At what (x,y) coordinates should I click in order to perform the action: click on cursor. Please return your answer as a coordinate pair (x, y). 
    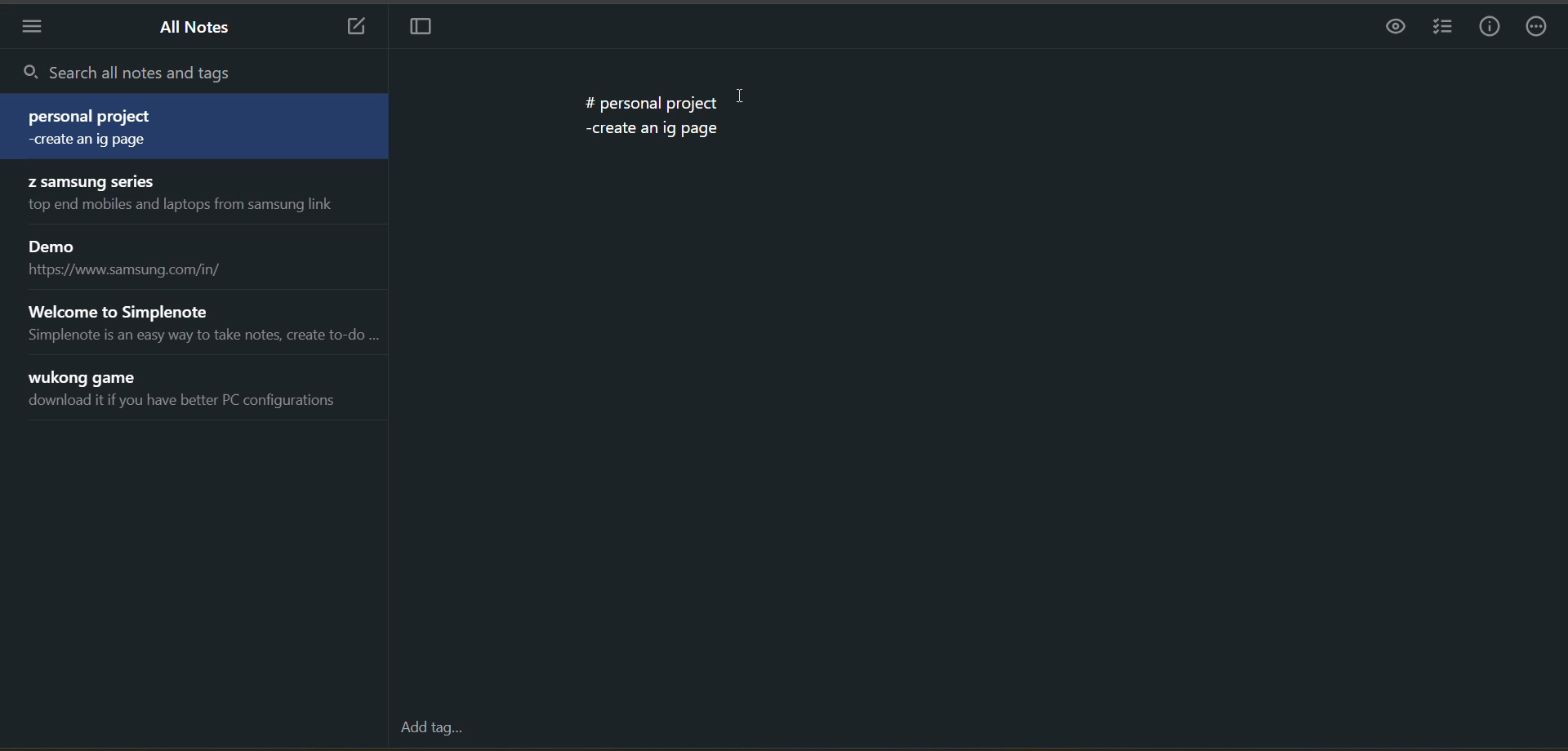
    Looking at the image, I should click on (740, 96).